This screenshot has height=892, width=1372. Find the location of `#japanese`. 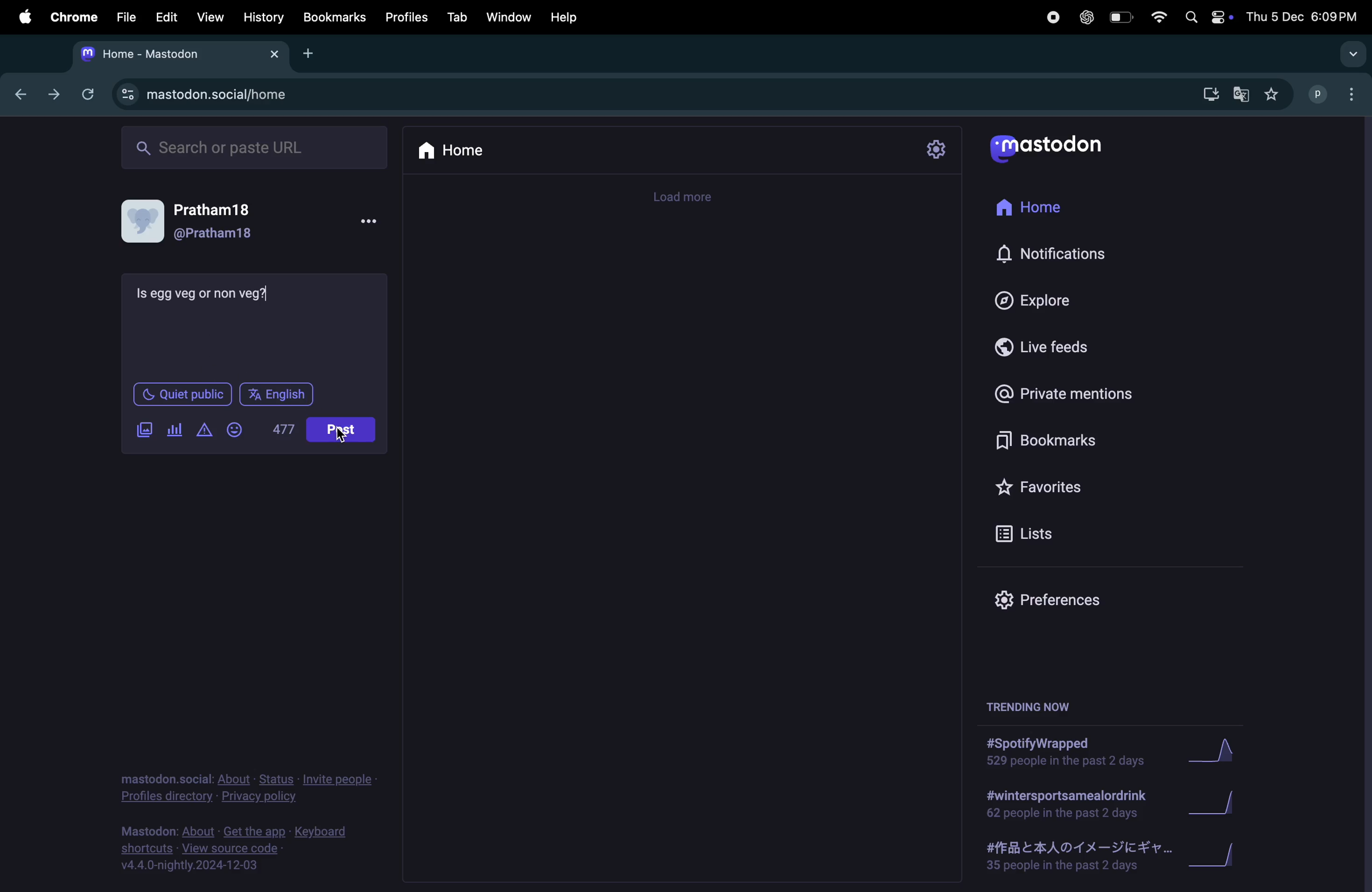

#japanese is located at coordinates (1072, 858).